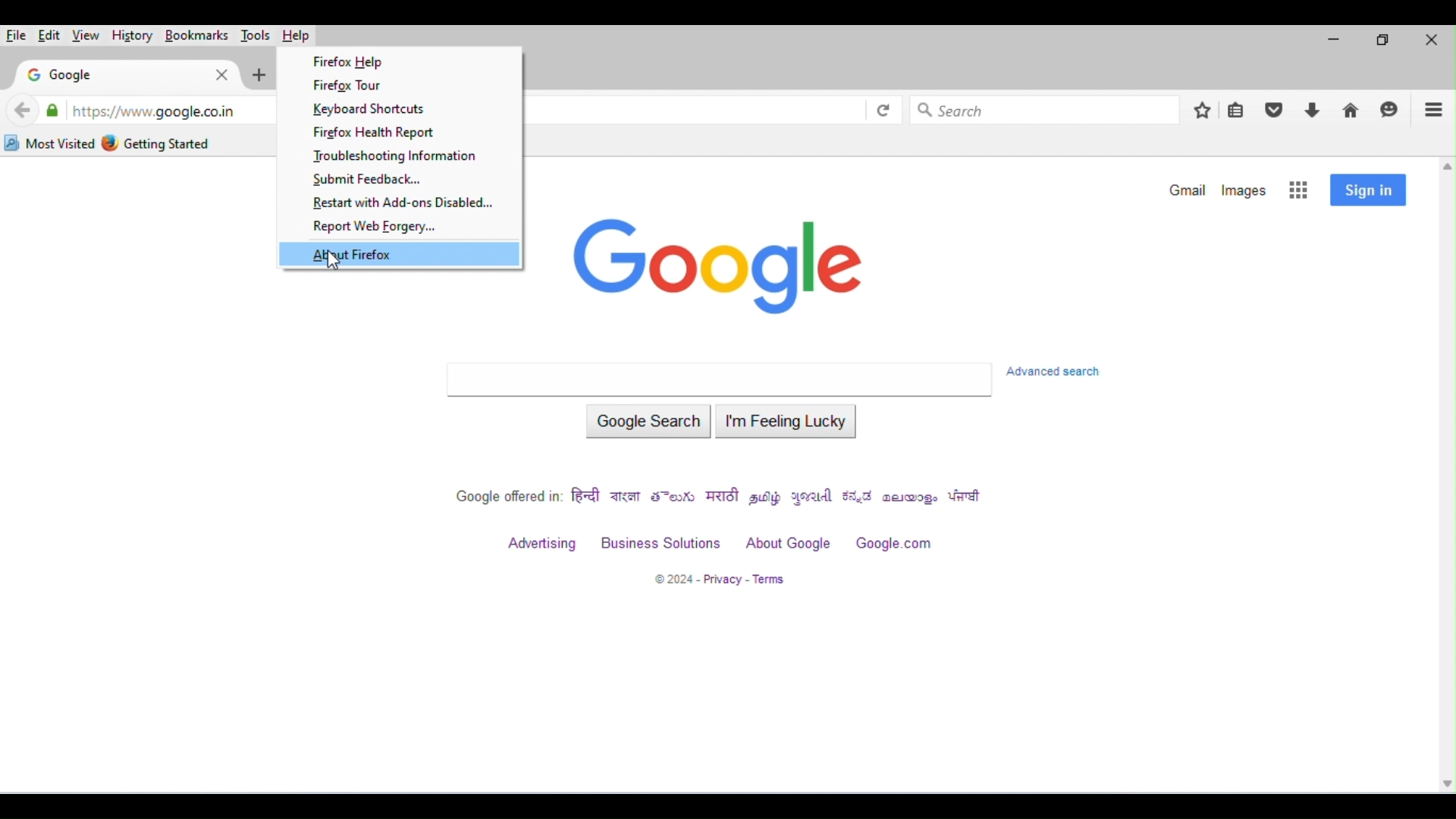  What do you see at coordinates (967, 497) in the screenshot?
I see `punjabi` at bounding box center [967, 497].